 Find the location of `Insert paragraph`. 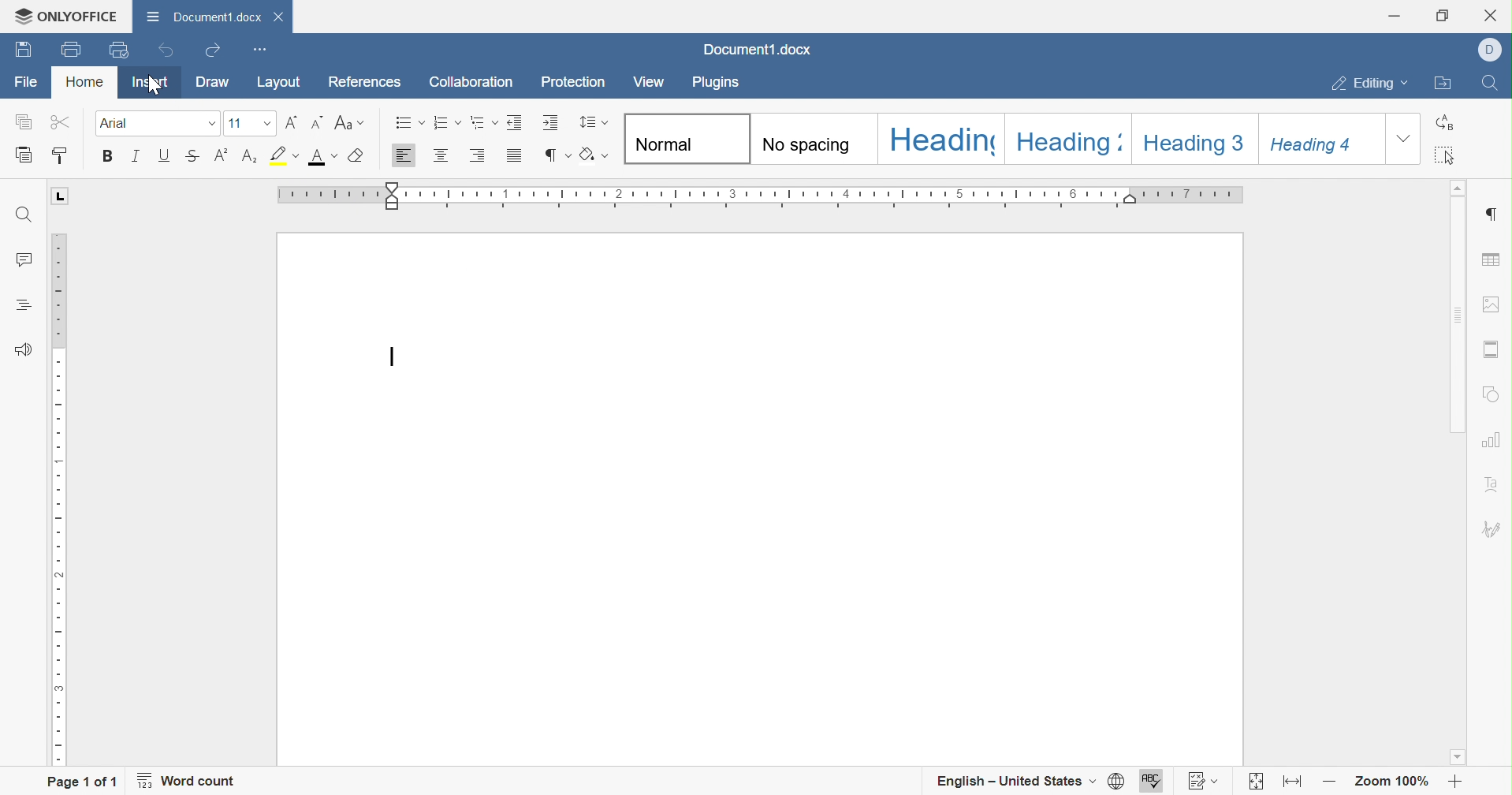

Insert paragraph is located at coordinates (1489, 214).